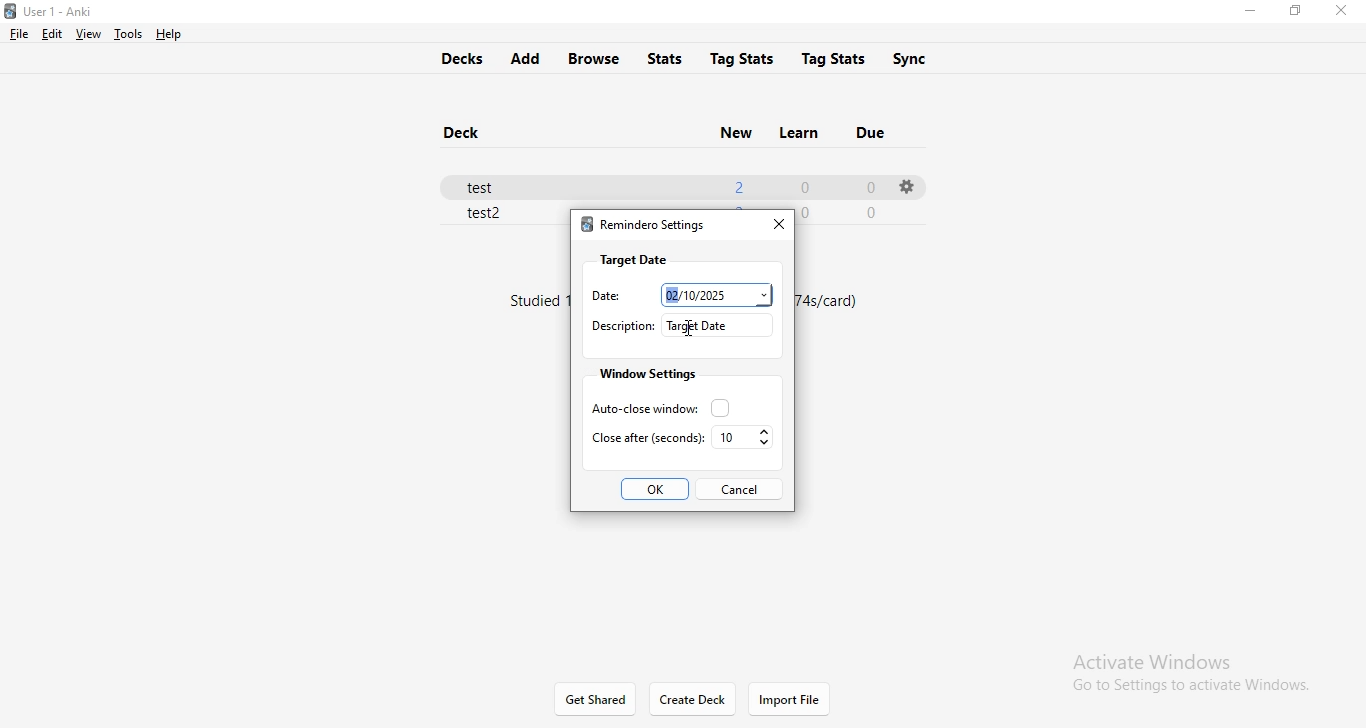 The width and height of the screenshot is (1366, 728). Describe the element at coordinates (796, 130) in the screenshot. I see `learn` at that location.